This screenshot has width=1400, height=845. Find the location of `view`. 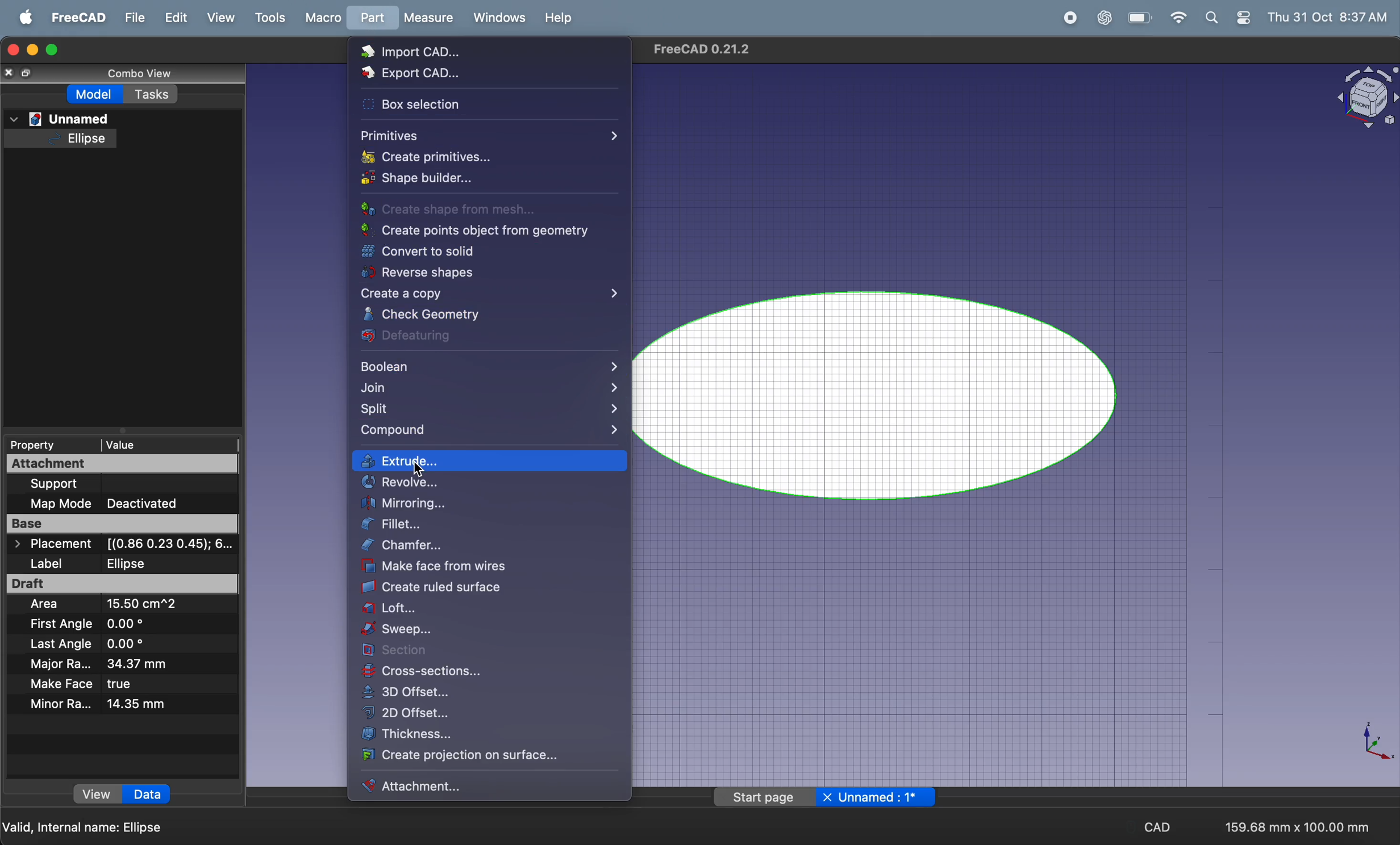

view is located at coordinates (219, 18).